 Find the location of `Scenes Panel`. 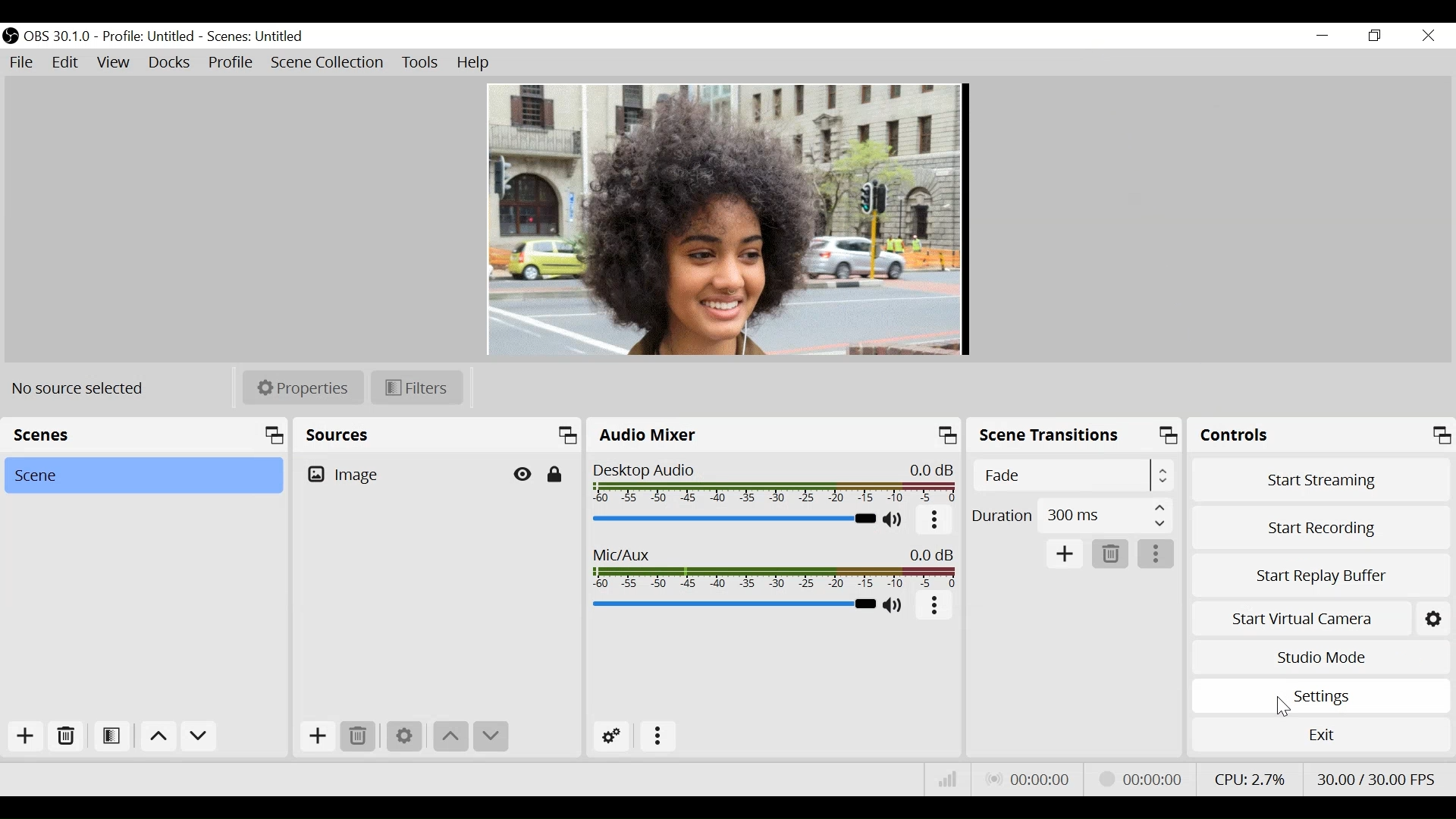

Scenes Panel is located at coordinates (145, 437).